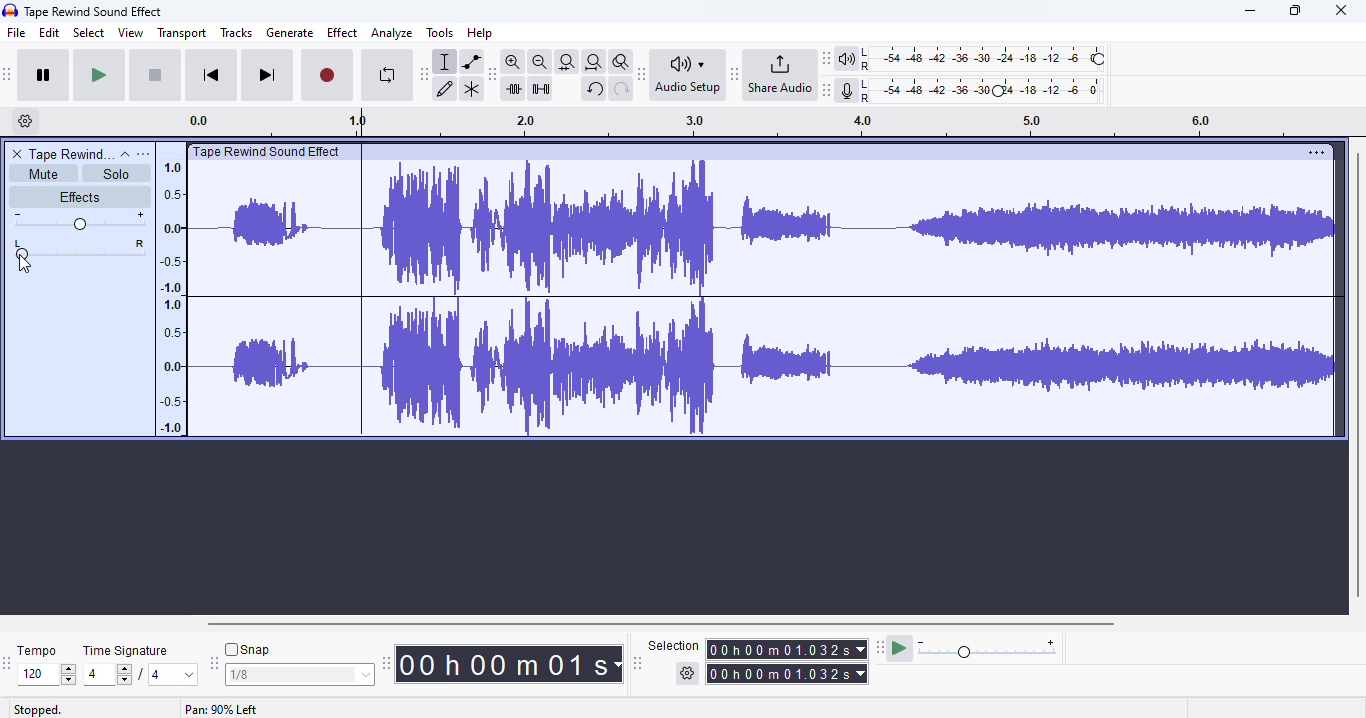  I want to click on vertical scroll bar, so click(1357, 374).